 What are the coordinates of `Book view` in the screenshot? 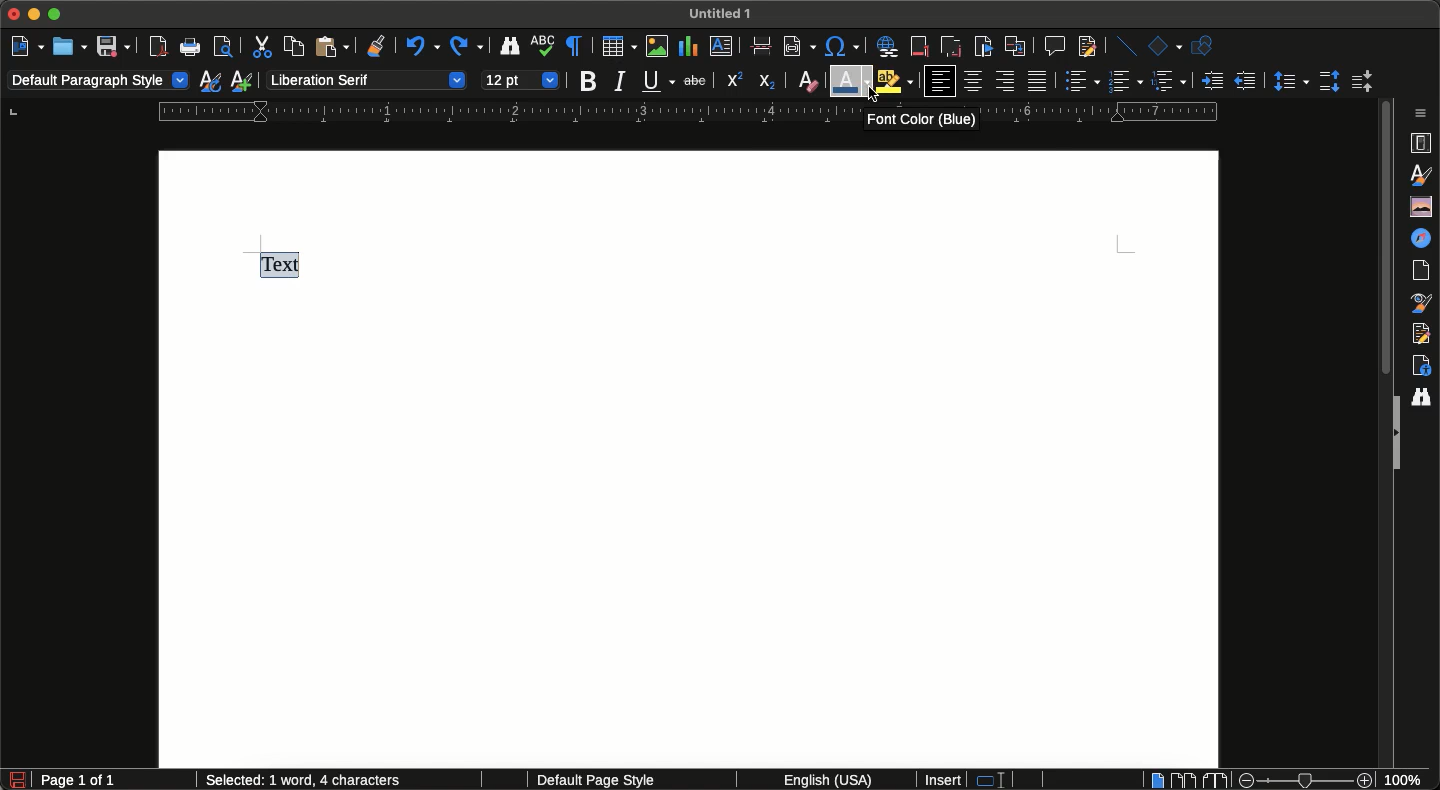 It's located at (1213, 780).